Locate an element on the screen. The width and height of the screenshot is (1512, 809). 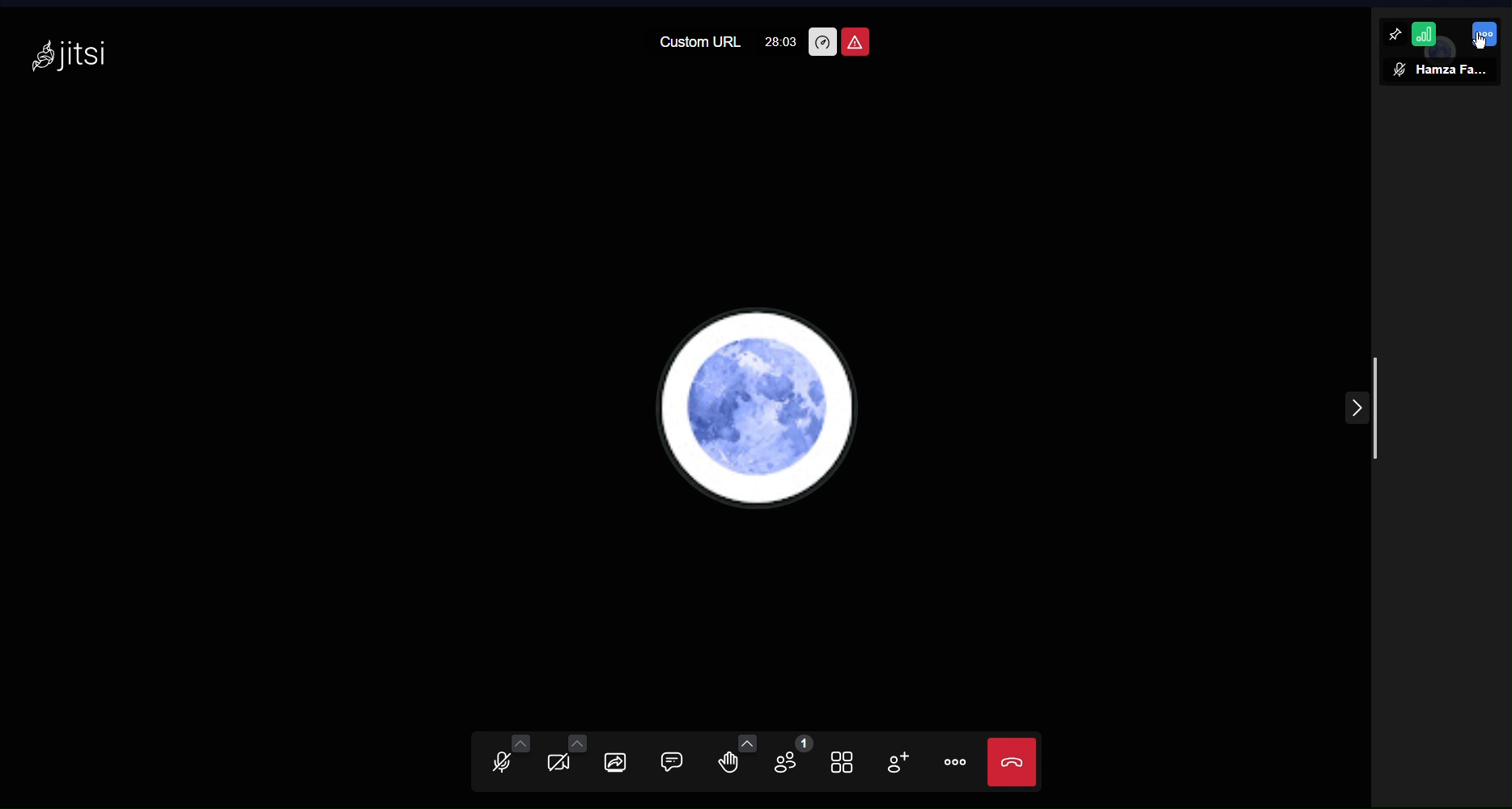
Audio is located at coordinates (501, 760).